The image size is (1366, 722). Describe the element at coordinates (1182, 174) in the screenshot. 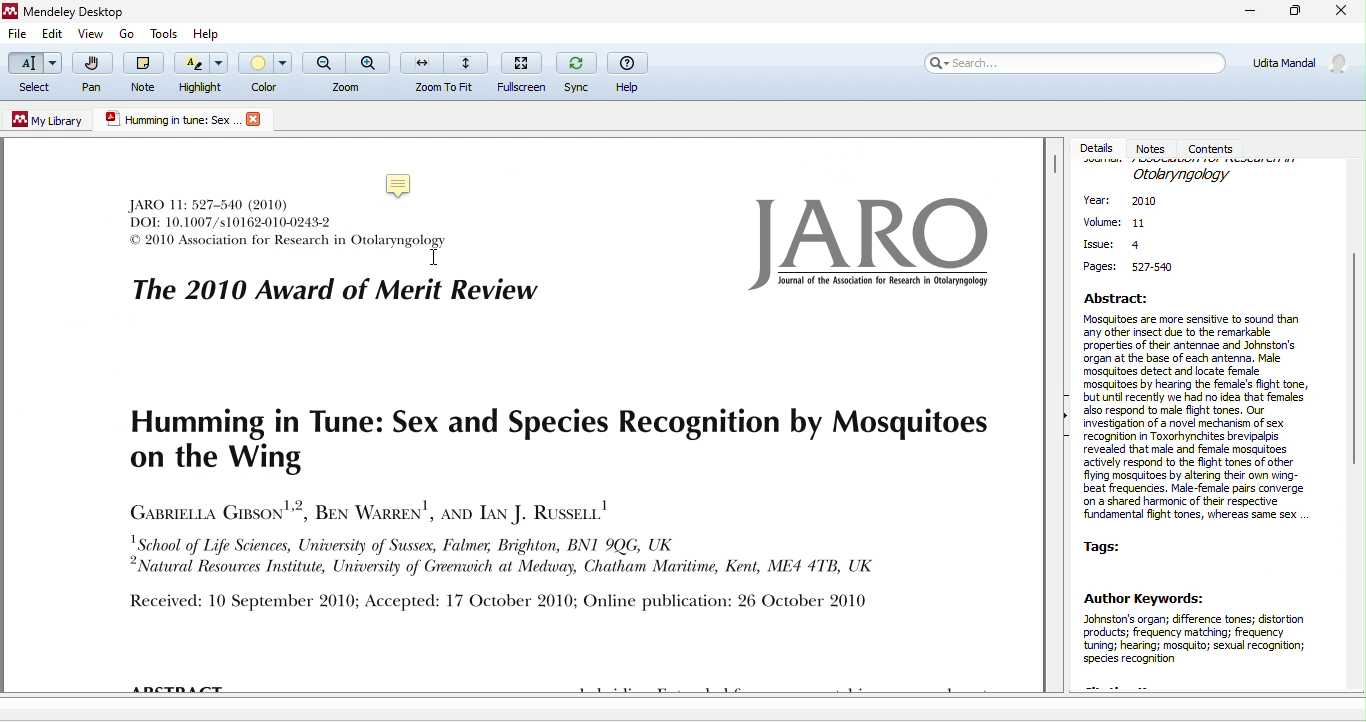

I see `journal name` at that location.